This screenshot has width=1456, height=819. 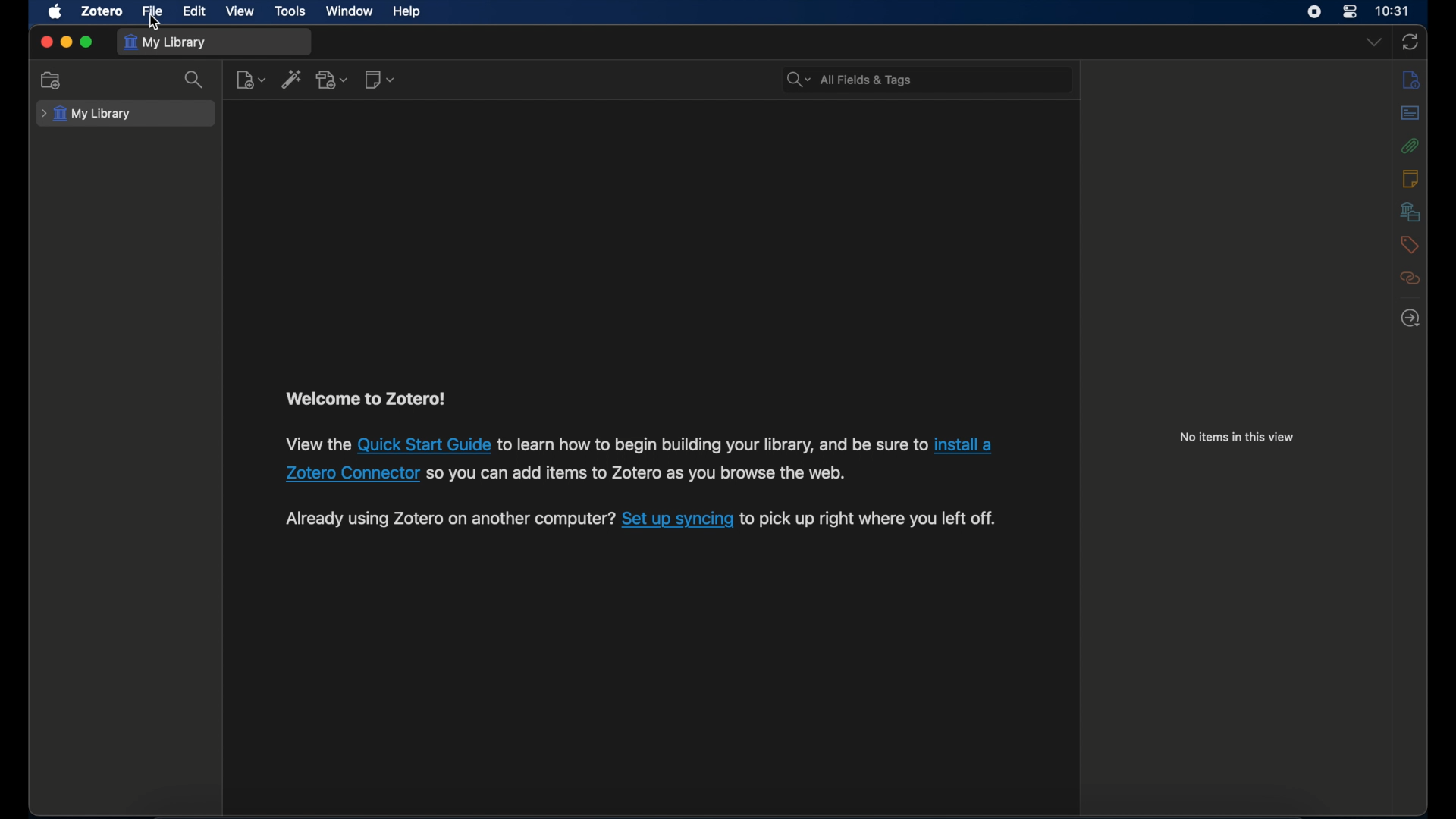 I want to click on abstract, so click(x=1410, y=113).